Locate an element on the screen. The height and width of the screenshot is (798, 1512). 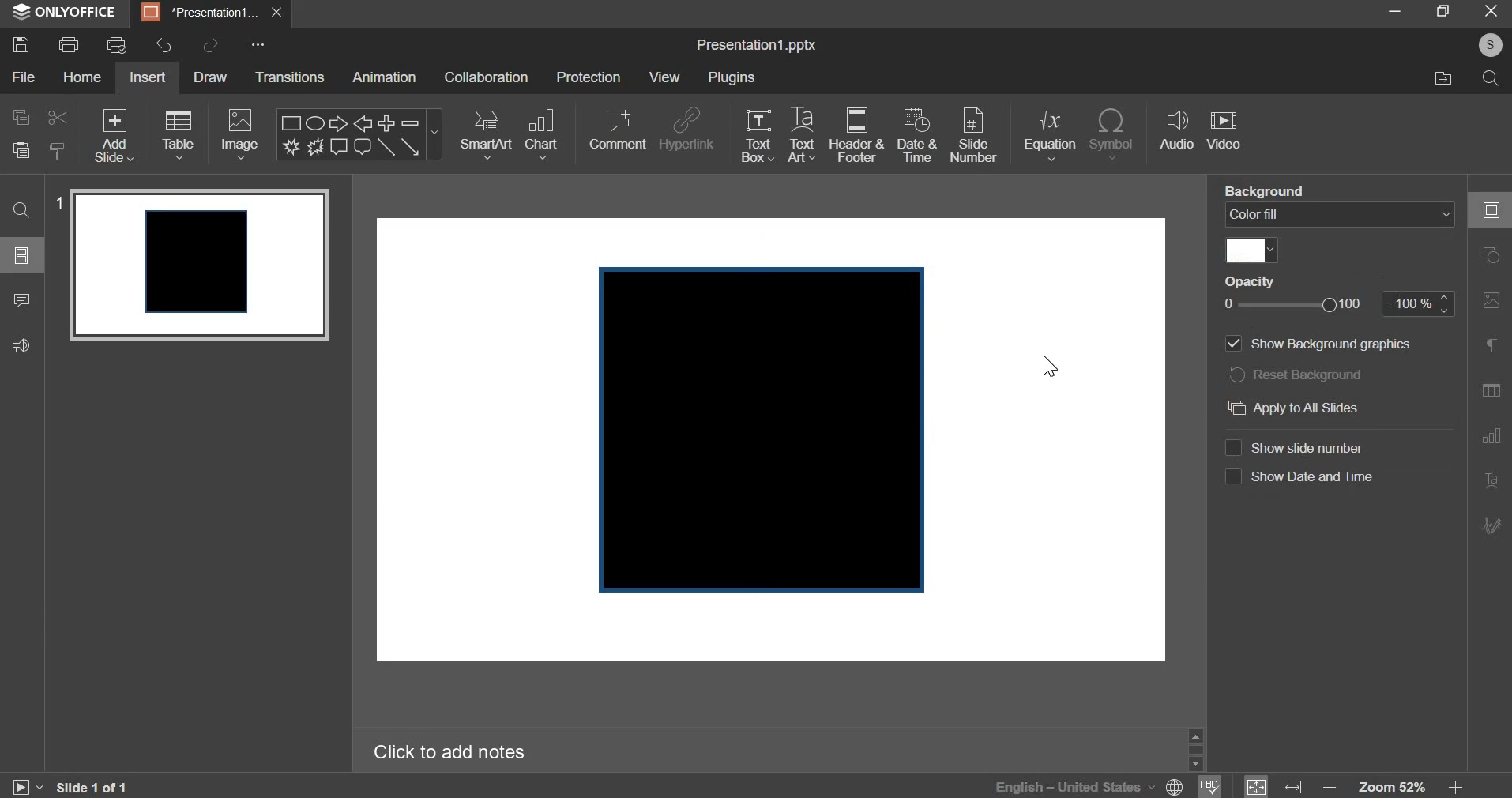
Line is located at coordinates (386, 149).